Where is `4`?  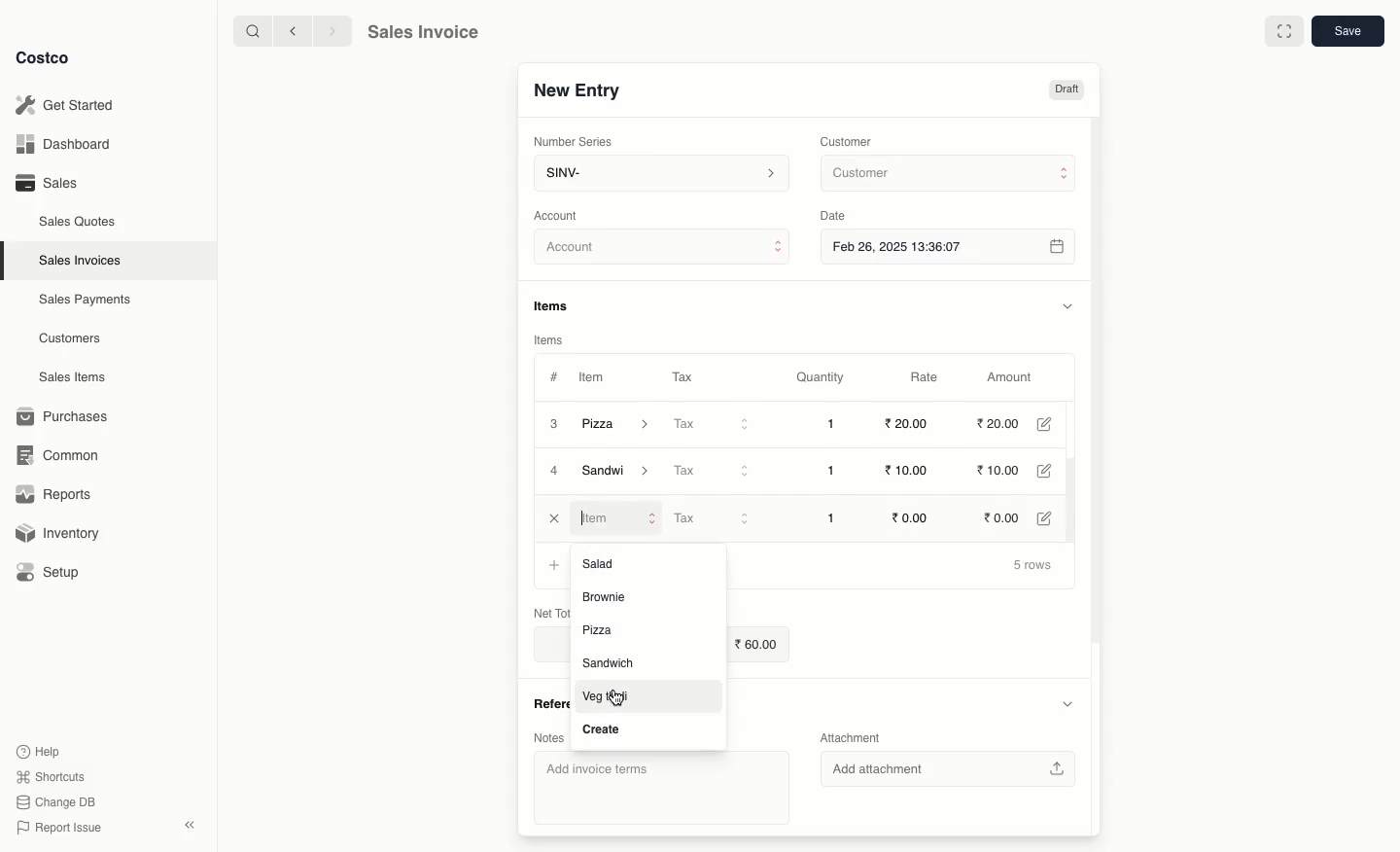
4 is located at coordinates (555, 472).